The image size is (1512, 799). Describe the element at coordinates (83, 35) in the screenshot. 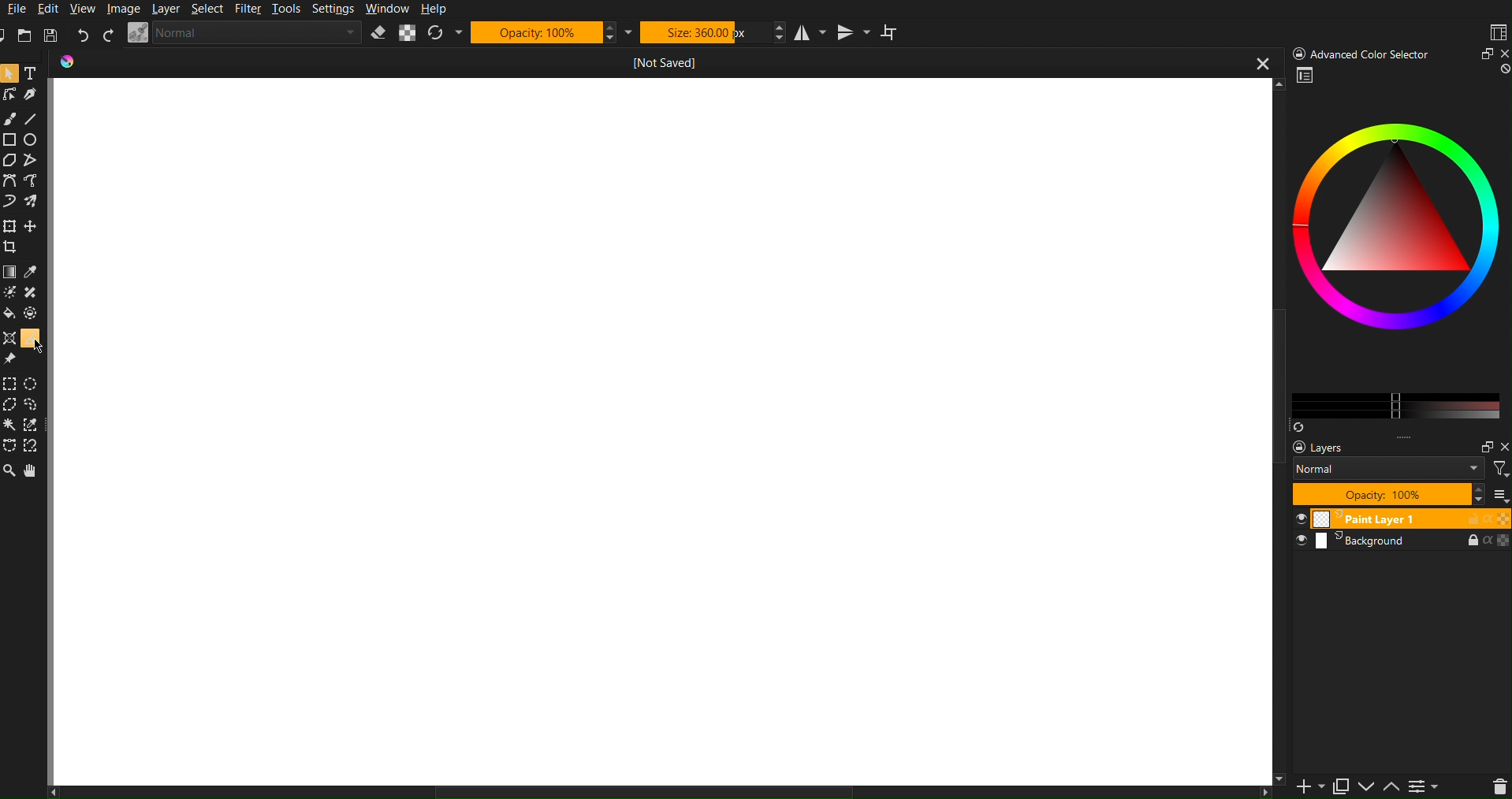

I see `Undo` at that location.